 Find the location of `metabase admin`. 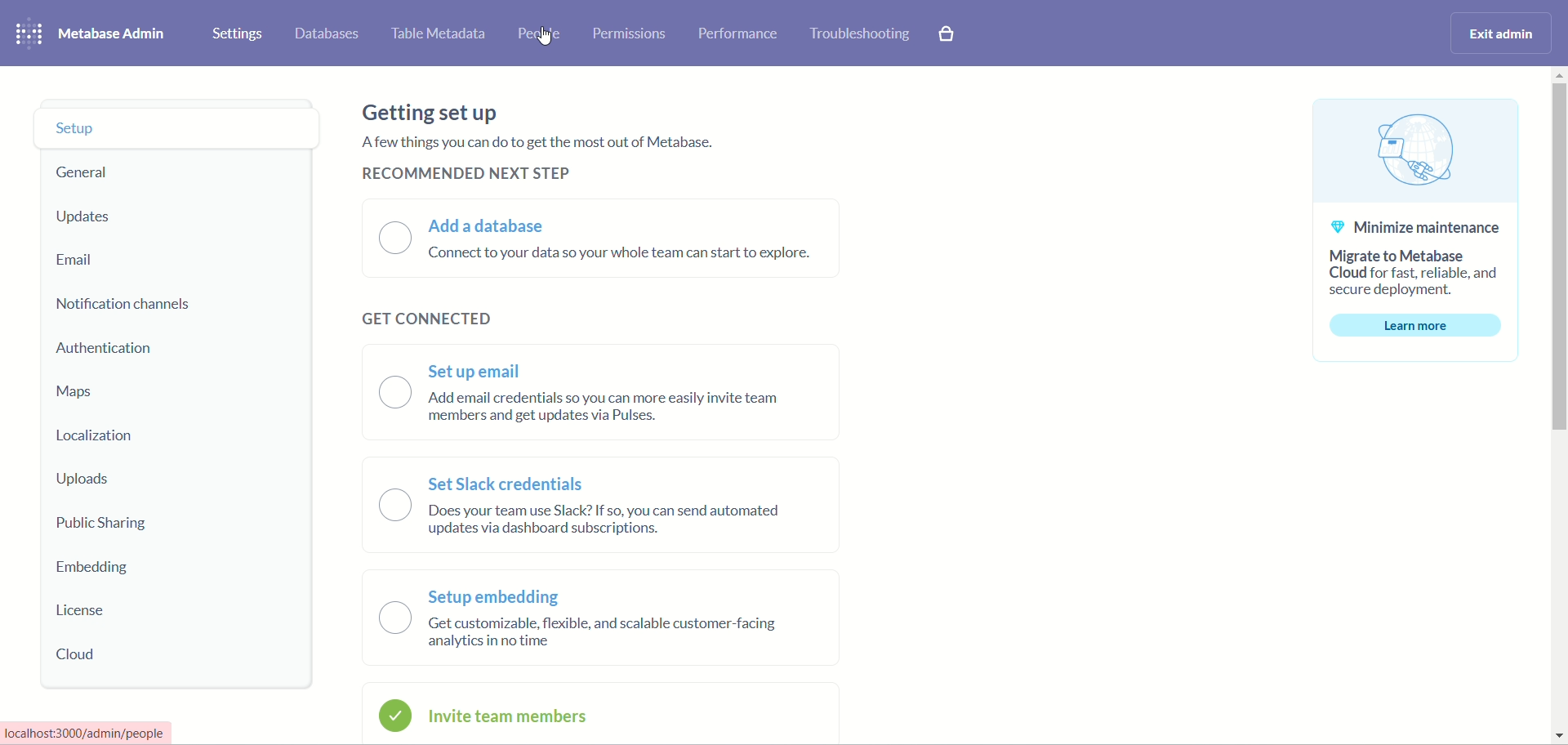

metabase admin is located at coordinates (115, 36).